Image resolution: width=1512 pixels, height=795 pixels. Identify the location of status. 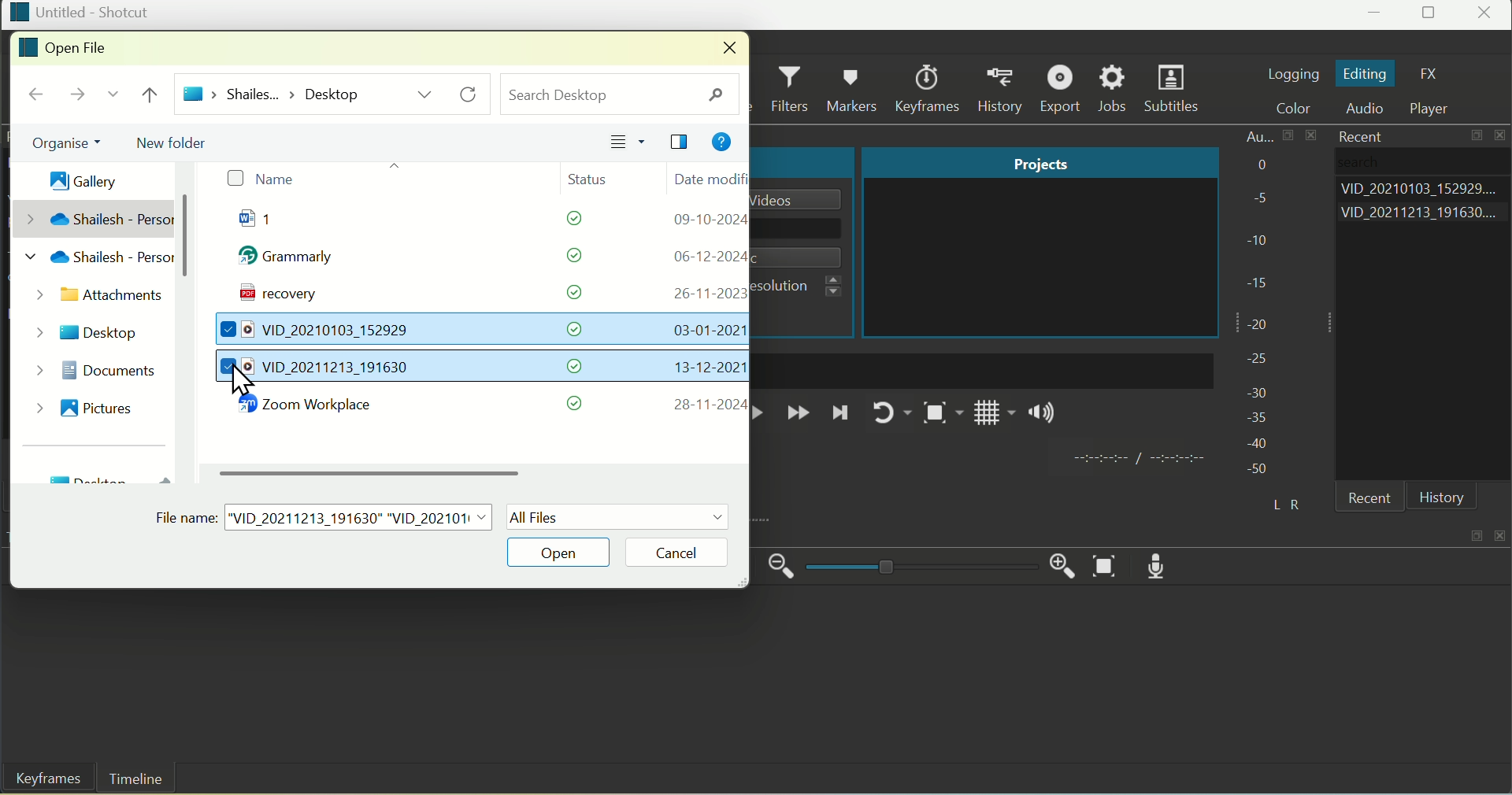
(572, 329).